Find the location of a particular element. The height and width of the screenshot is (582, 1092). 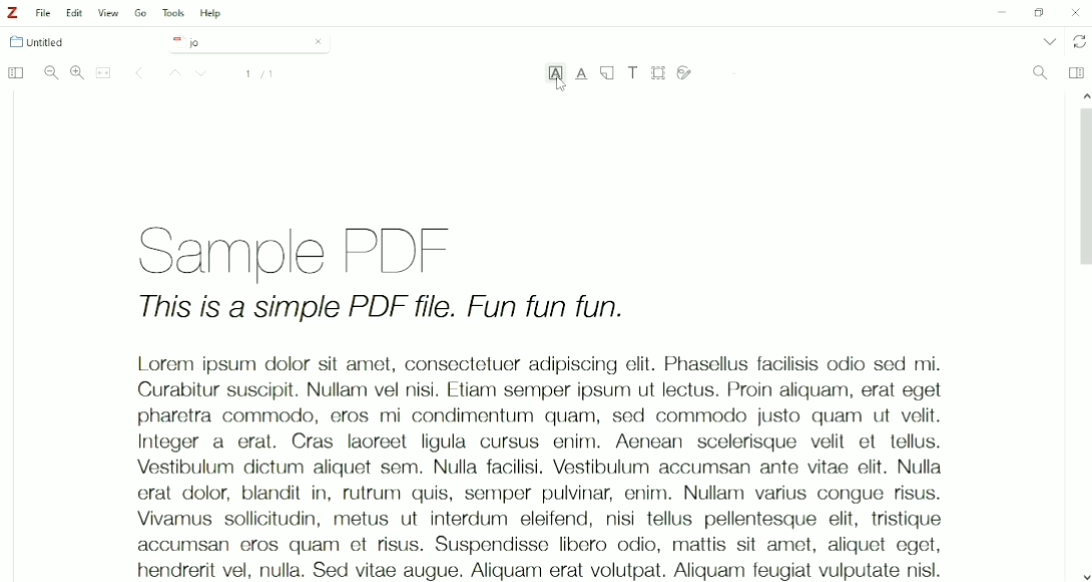

Untitled is located at coordinates (46, 42).